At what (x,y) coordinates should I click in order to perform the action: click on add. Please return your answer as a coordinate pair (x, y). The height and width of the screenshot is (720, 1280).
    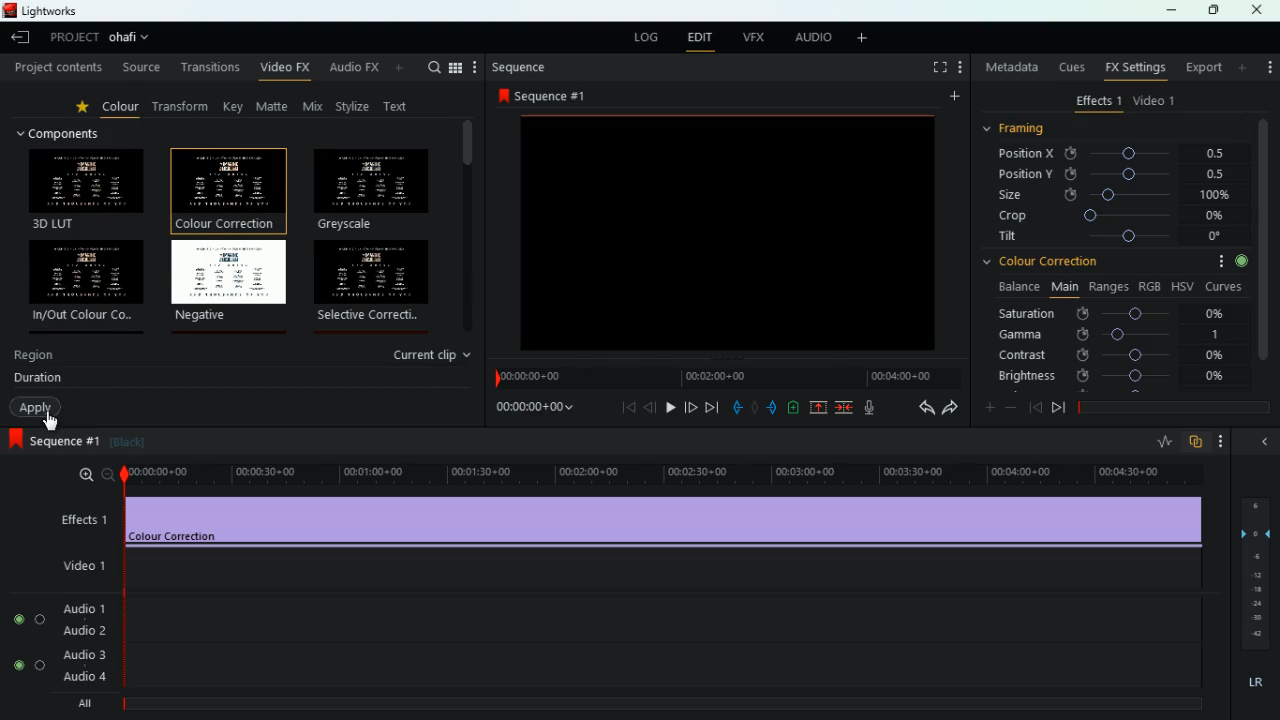
    Looking at the image, I should click on (987, 409).